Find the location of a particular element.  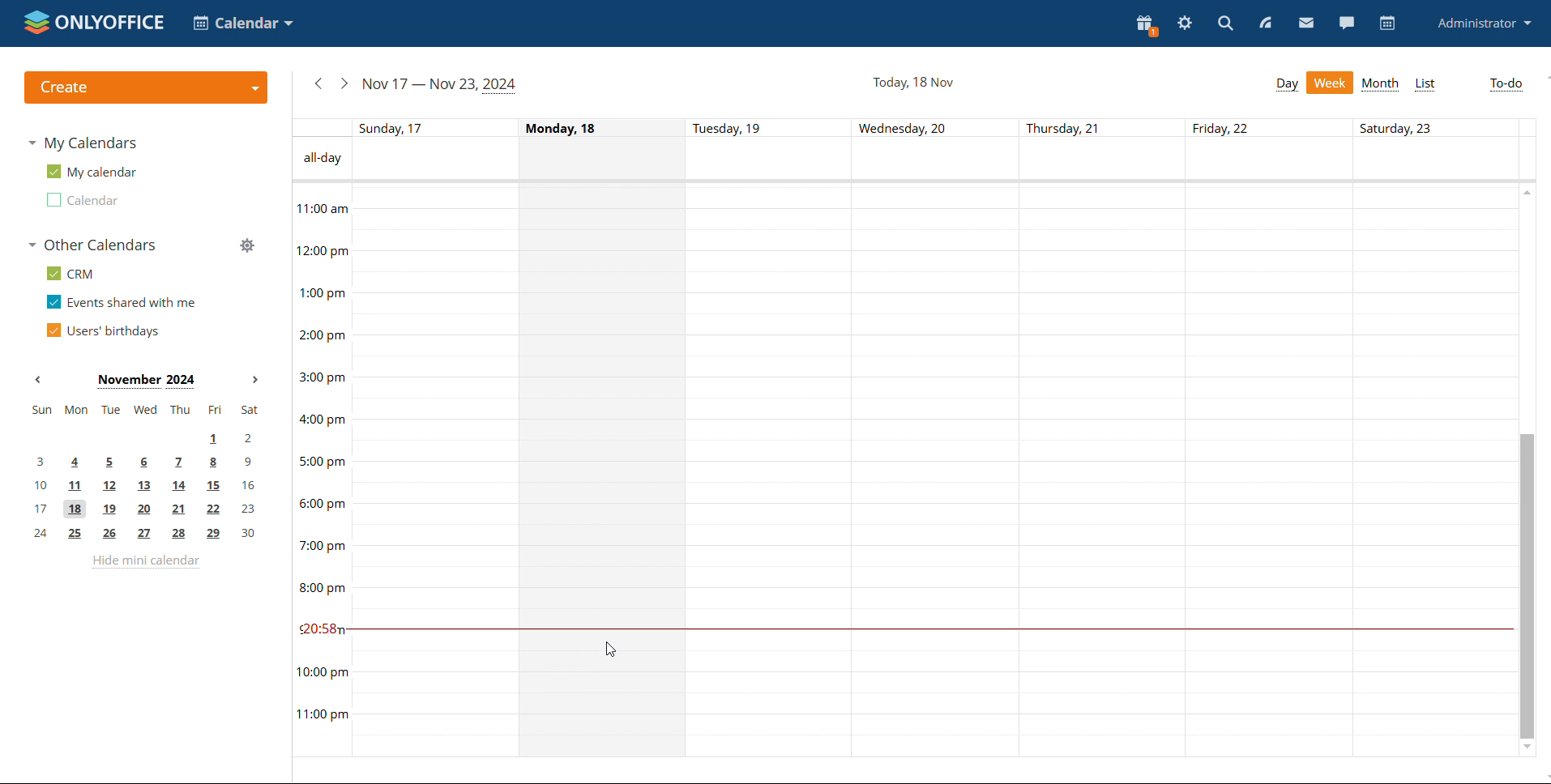

hide mini calendar is located at coordinates (145, 562).